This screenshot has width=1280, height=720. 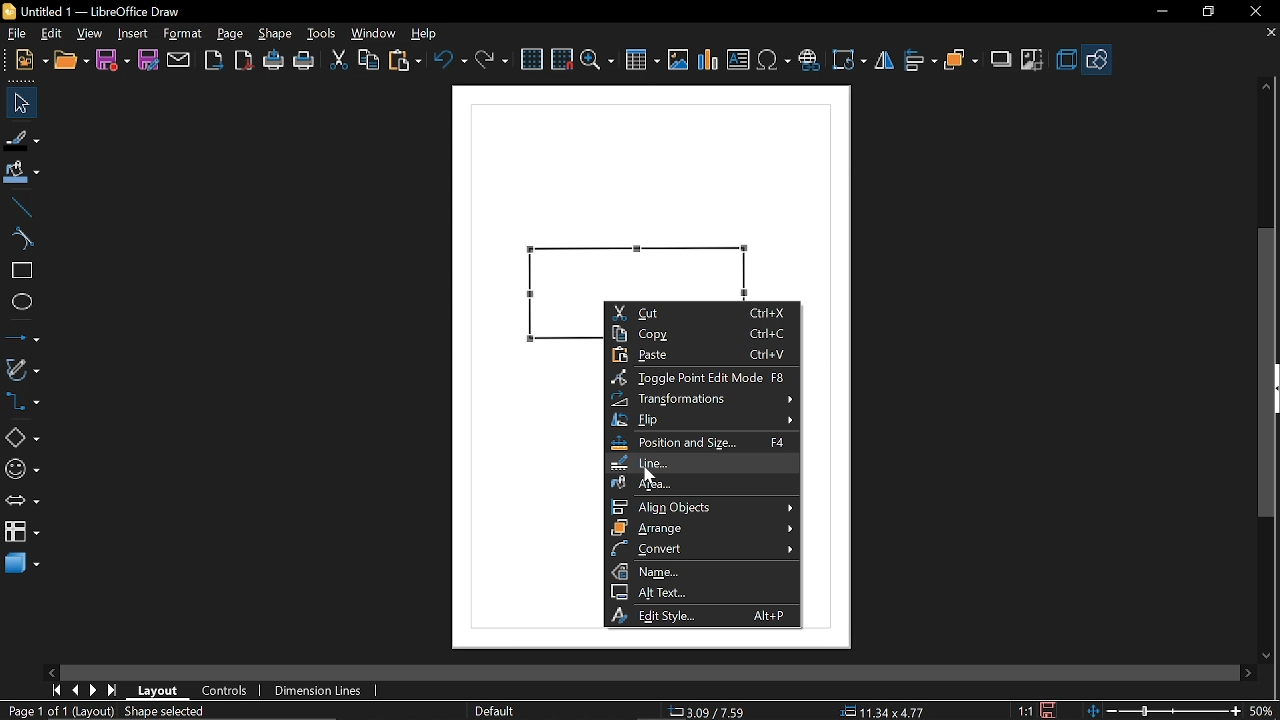 I want to click on Restore down, so click(x=1205, y=13).